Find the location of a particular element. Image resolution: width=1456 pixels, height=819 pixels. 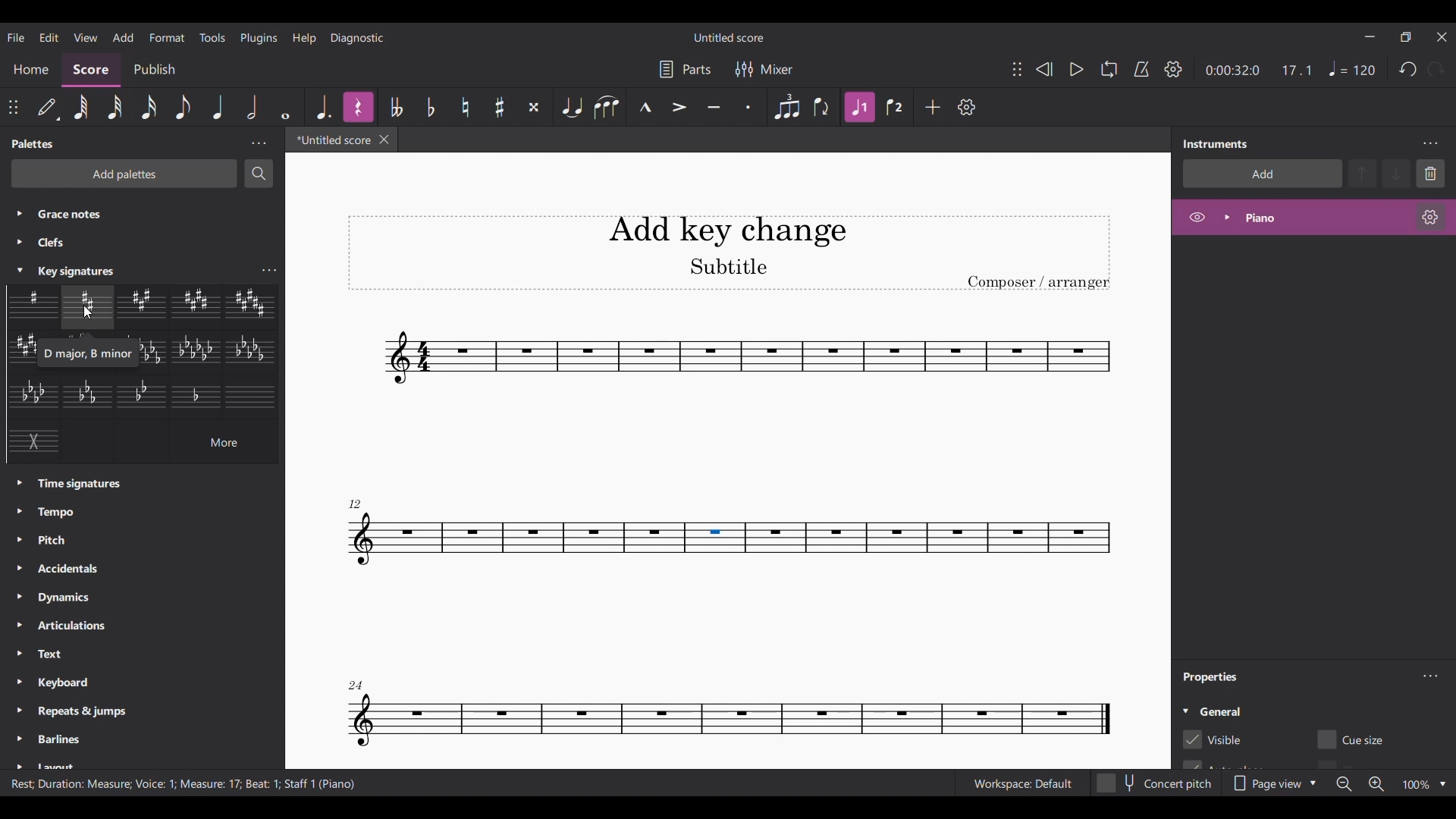

Key signature settings is located at coordinates (268, 271).